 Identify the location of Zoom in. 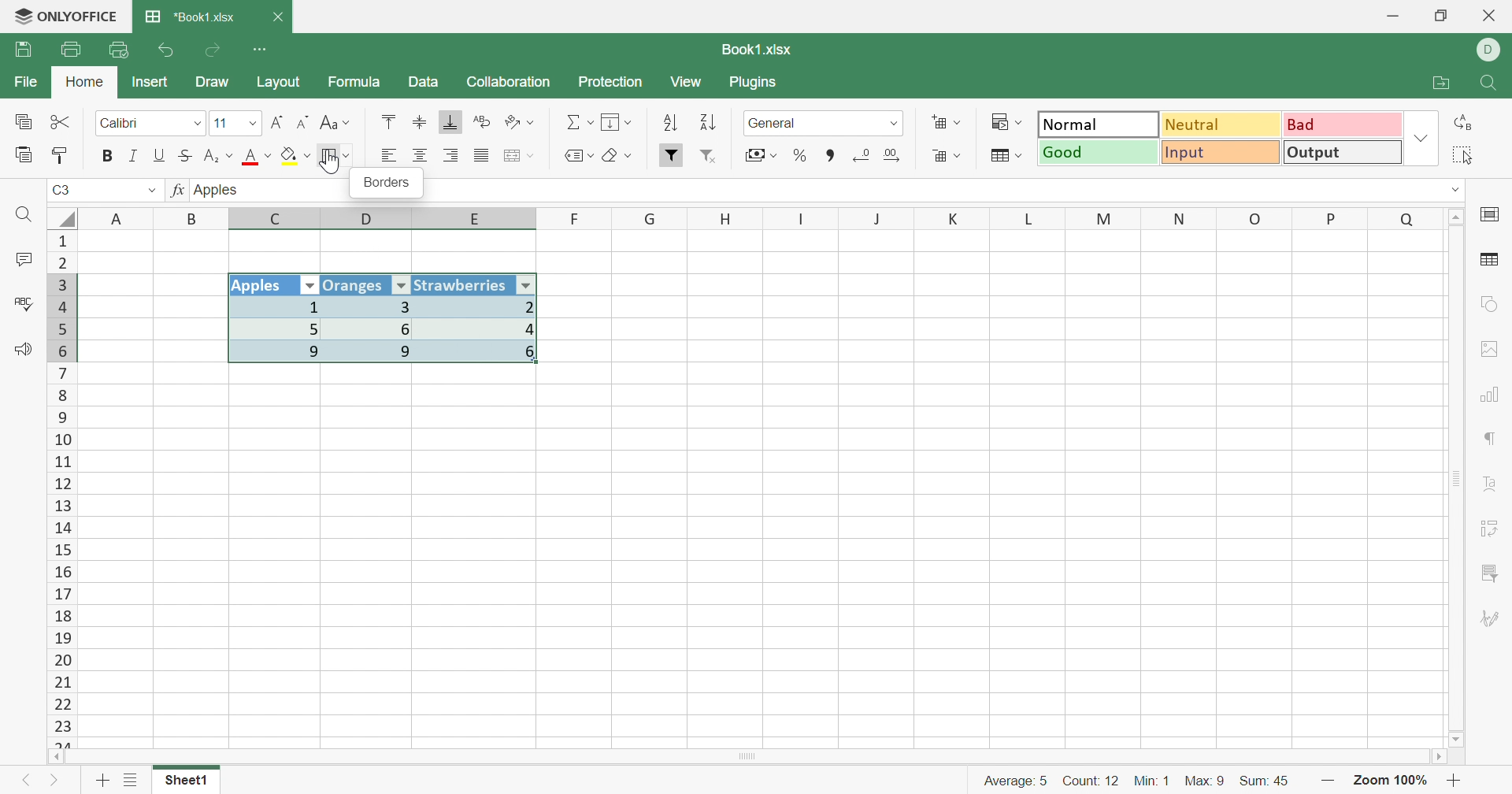
(1458, 781).